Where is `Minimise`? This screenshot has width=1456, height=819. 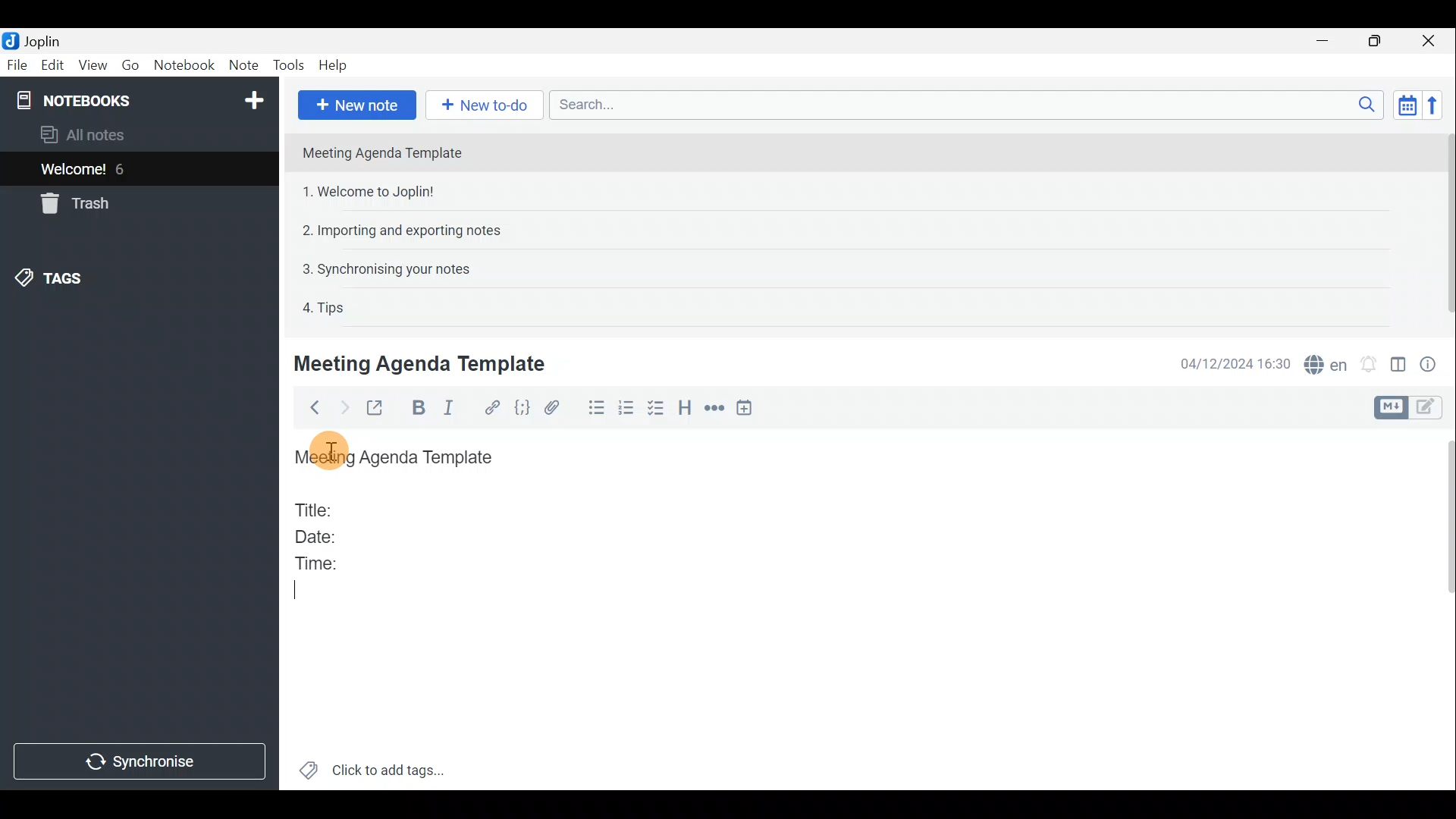 Minimise is located at coordinates (1325, 40).